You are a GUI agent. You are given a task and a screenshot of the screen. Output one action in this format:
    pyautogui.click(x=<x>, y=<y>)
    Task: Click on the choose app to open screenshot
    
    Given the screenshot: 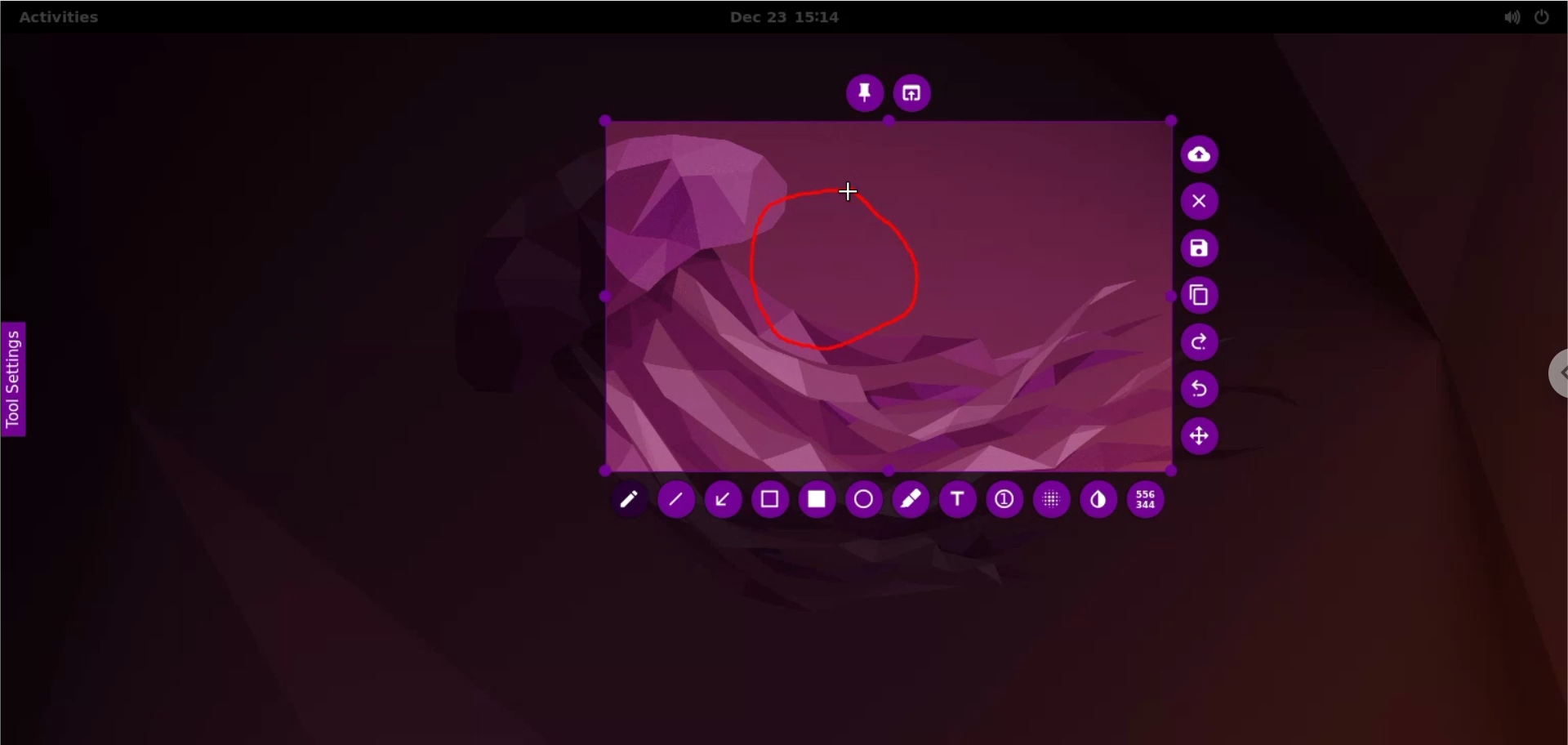 What is the action you would take?
    pyautogui.click(x=920, y=93)
    